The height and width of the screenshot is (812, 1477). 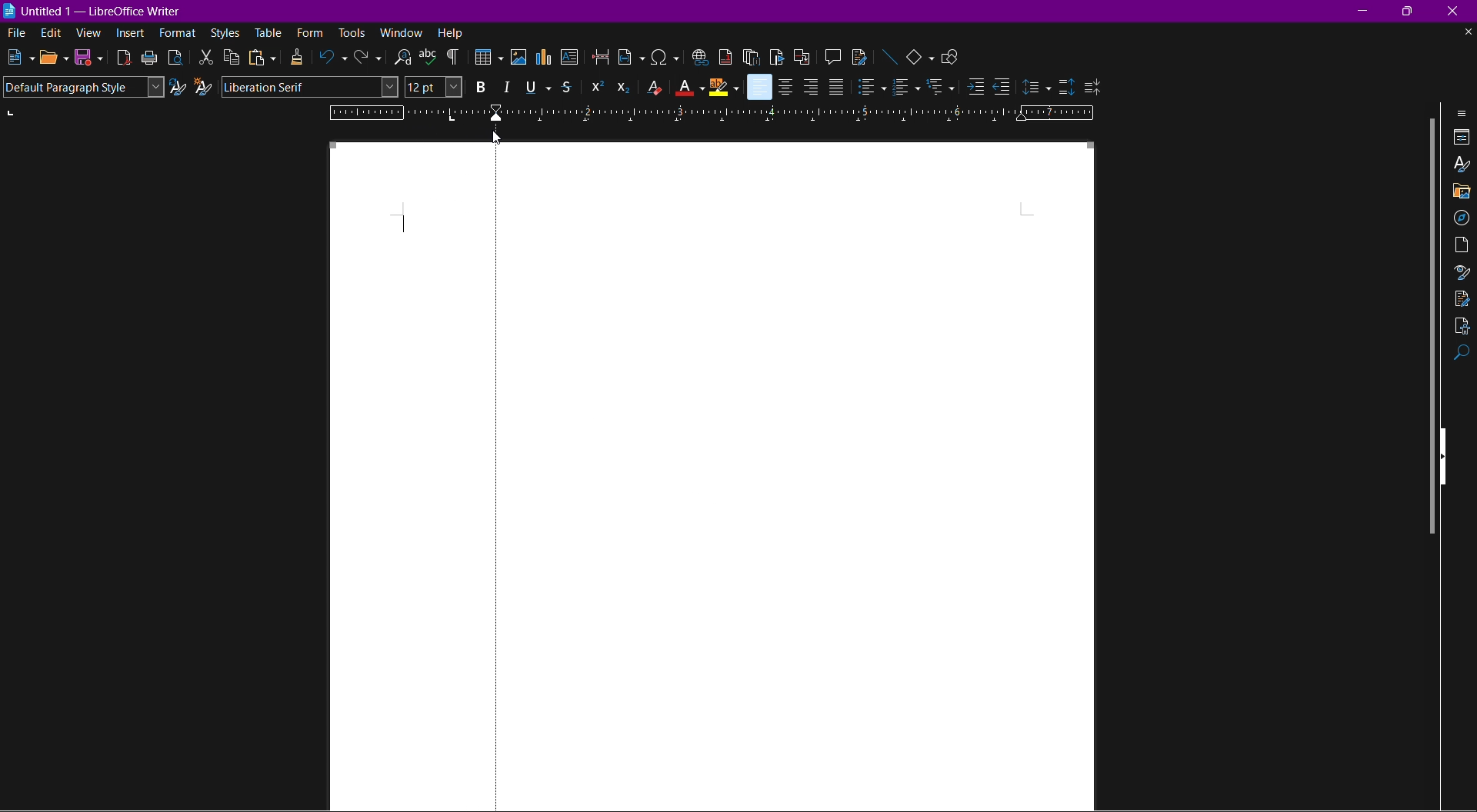 What do you see at coordinates (940, 88) in the screenshot?
I see `Select Outline Format` at bounding box center [940, 88].